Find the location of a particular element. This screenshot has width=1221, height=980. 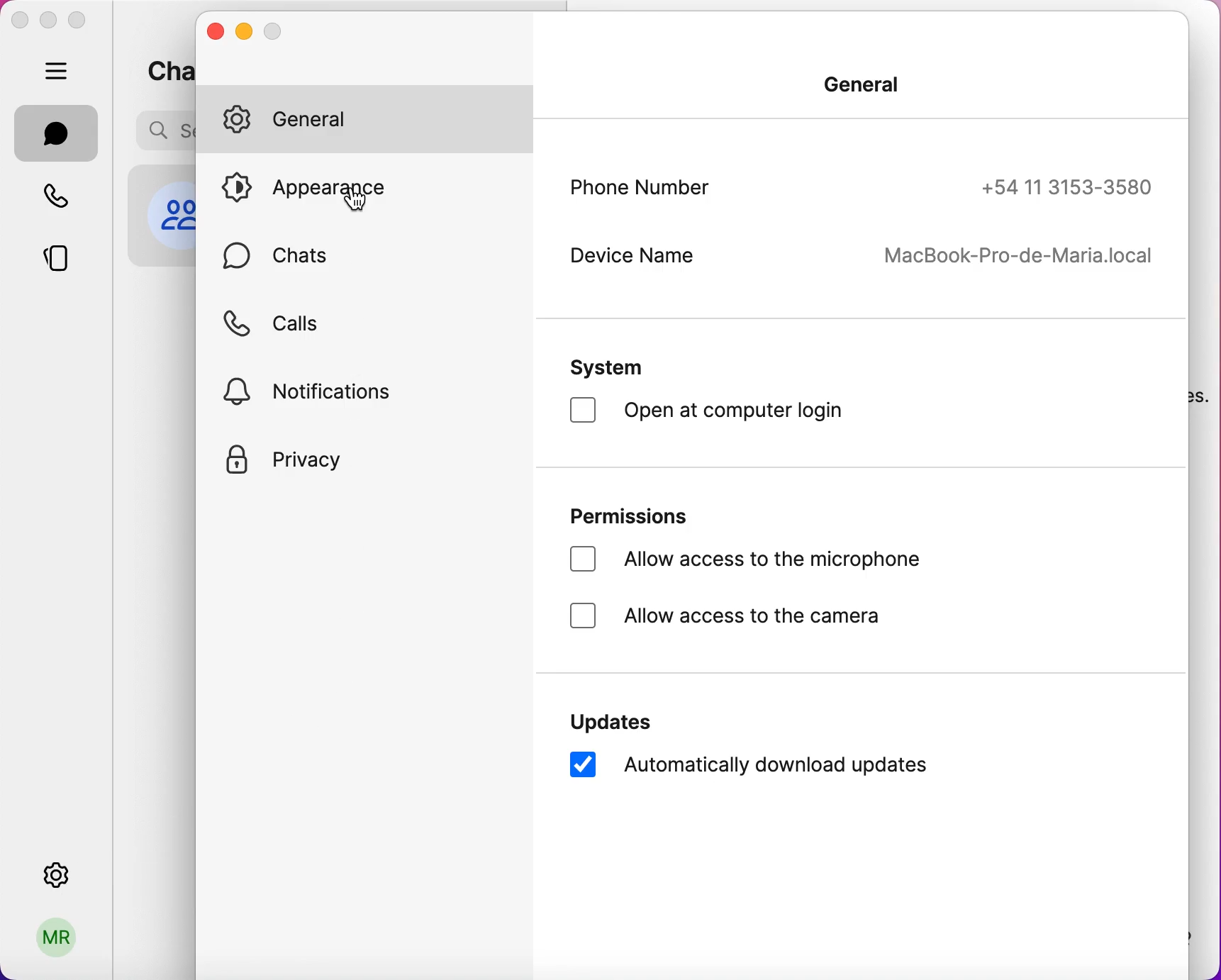

appearance is located at coordinates (331, 191).